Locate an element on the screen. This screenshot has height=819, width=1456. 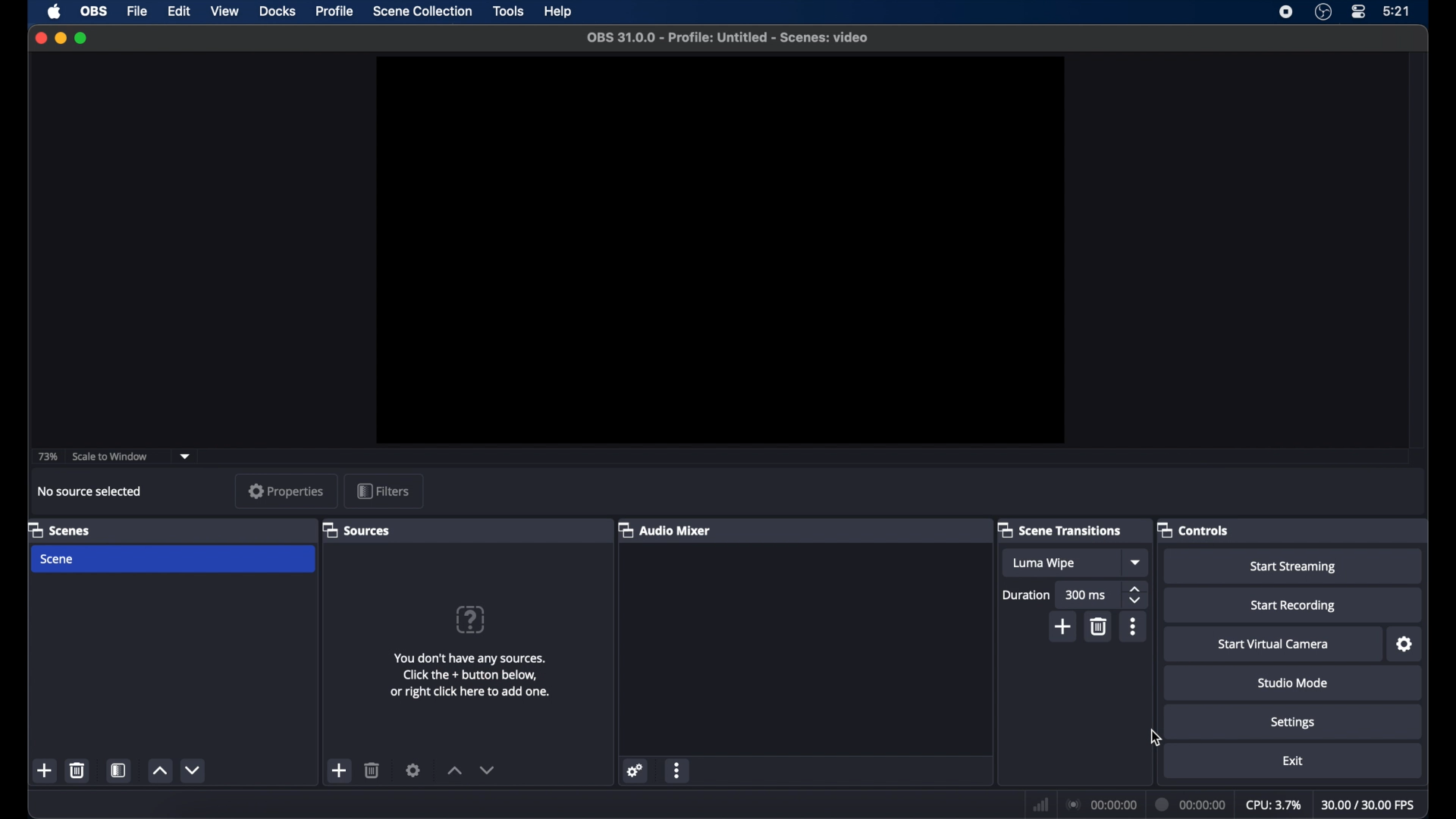
minimize is located at coordinates (61, 38).